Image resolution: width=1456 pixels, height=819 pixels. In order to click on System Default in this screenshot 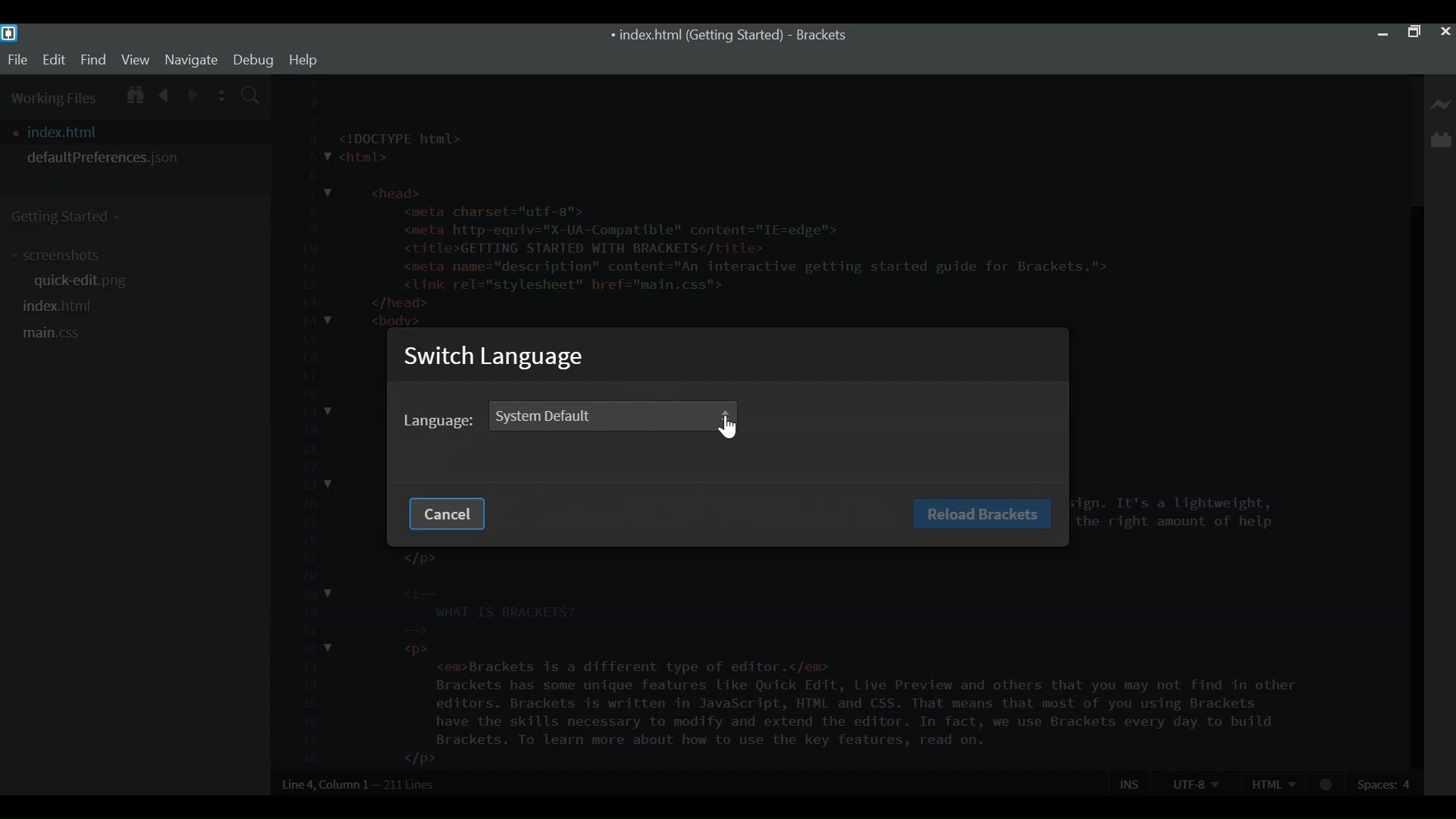, I will do `click(606, 415)`.